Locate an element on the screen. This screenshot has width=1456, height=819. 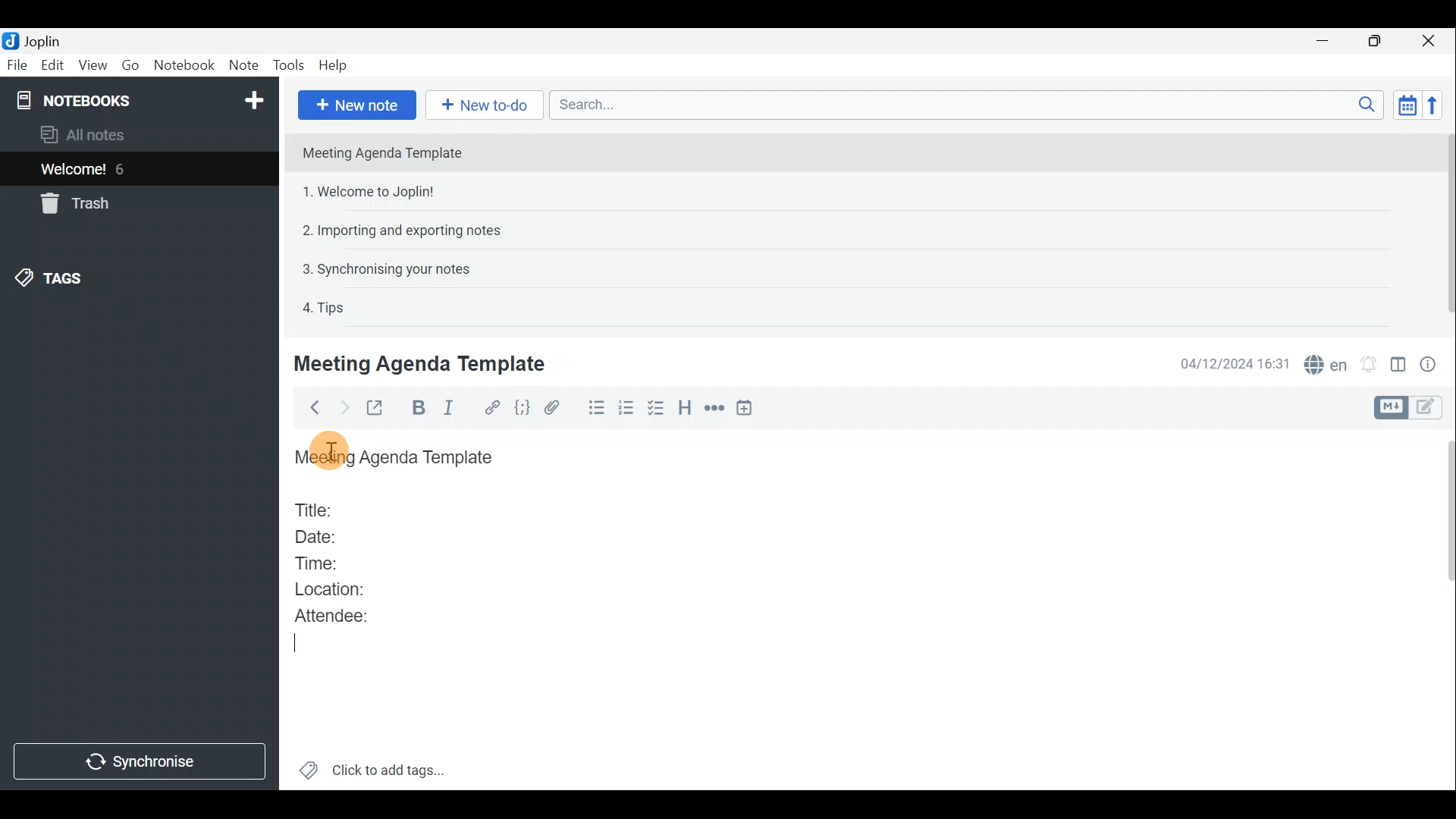
Notebooks is located at coordinates (142, 99).